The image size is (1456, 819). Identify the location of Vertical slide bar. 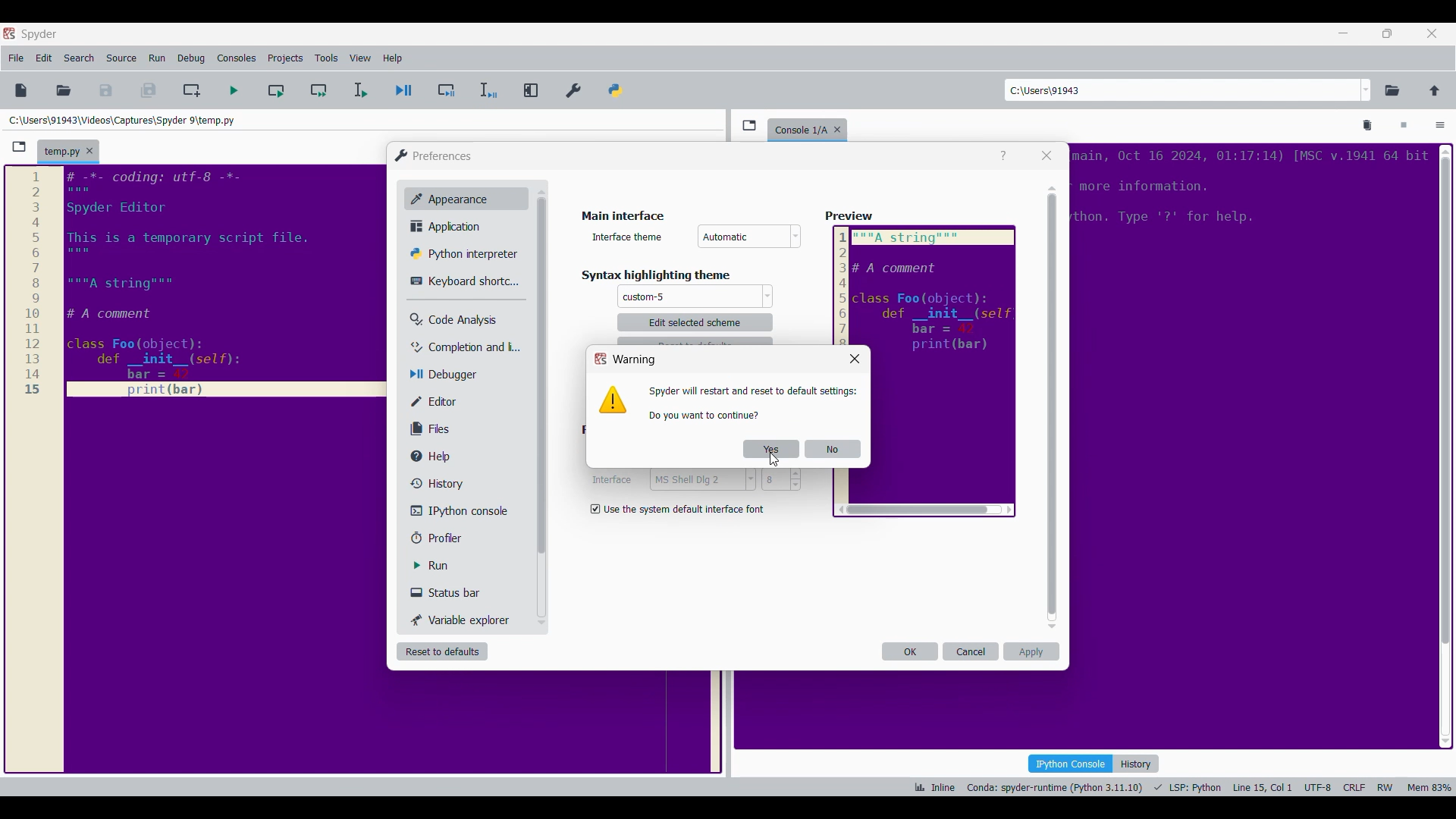
(542, 407).